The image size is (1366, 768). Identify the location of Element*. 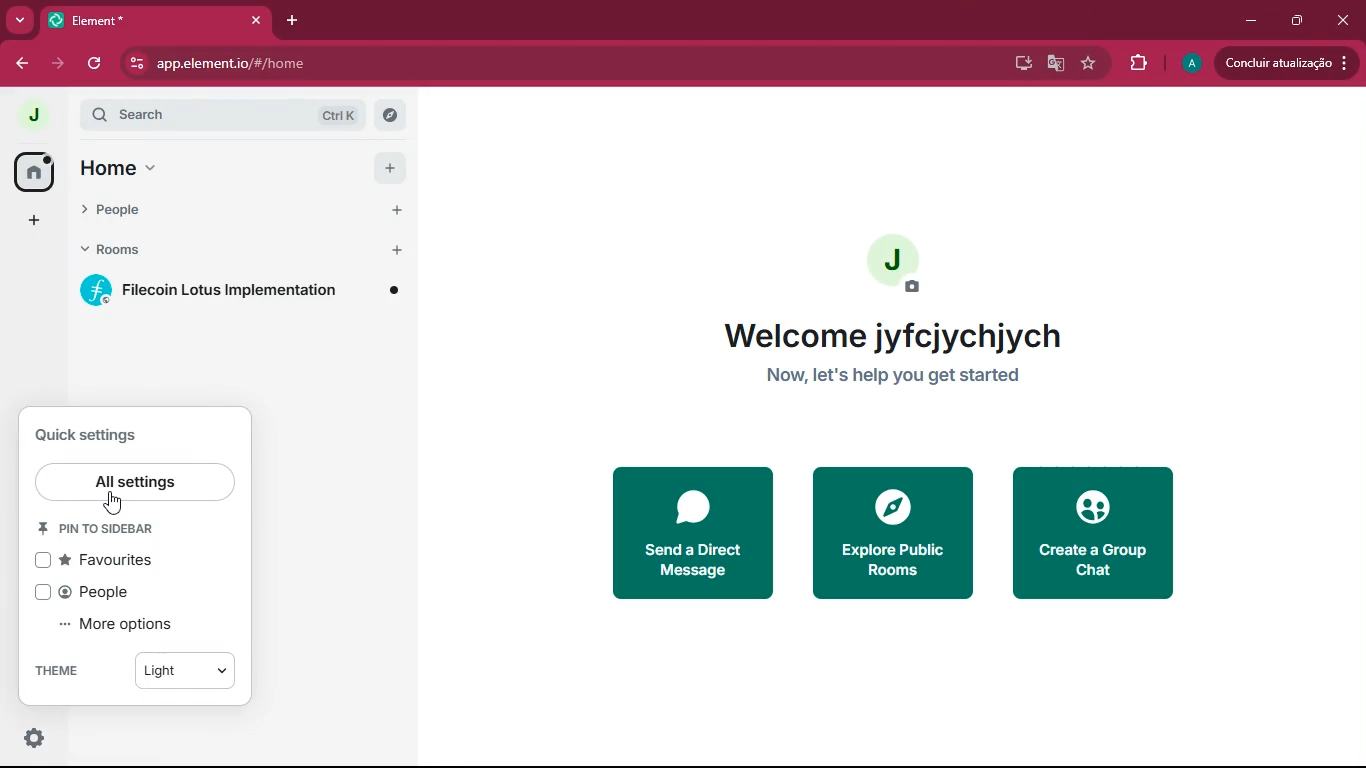
(127, 20).